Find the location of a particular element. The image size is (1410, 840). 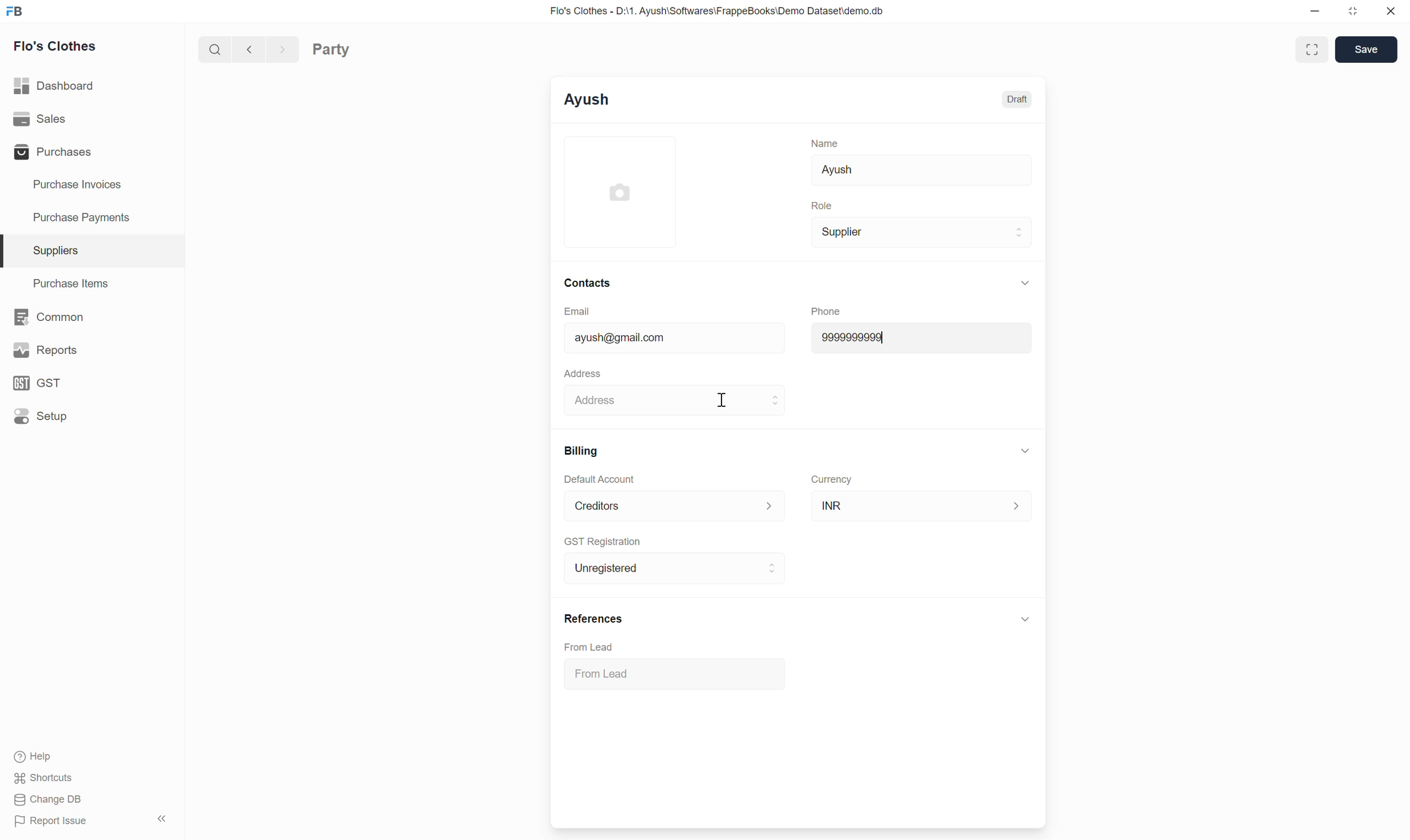

Frappe Books logo is located at coordinates (14, 11).